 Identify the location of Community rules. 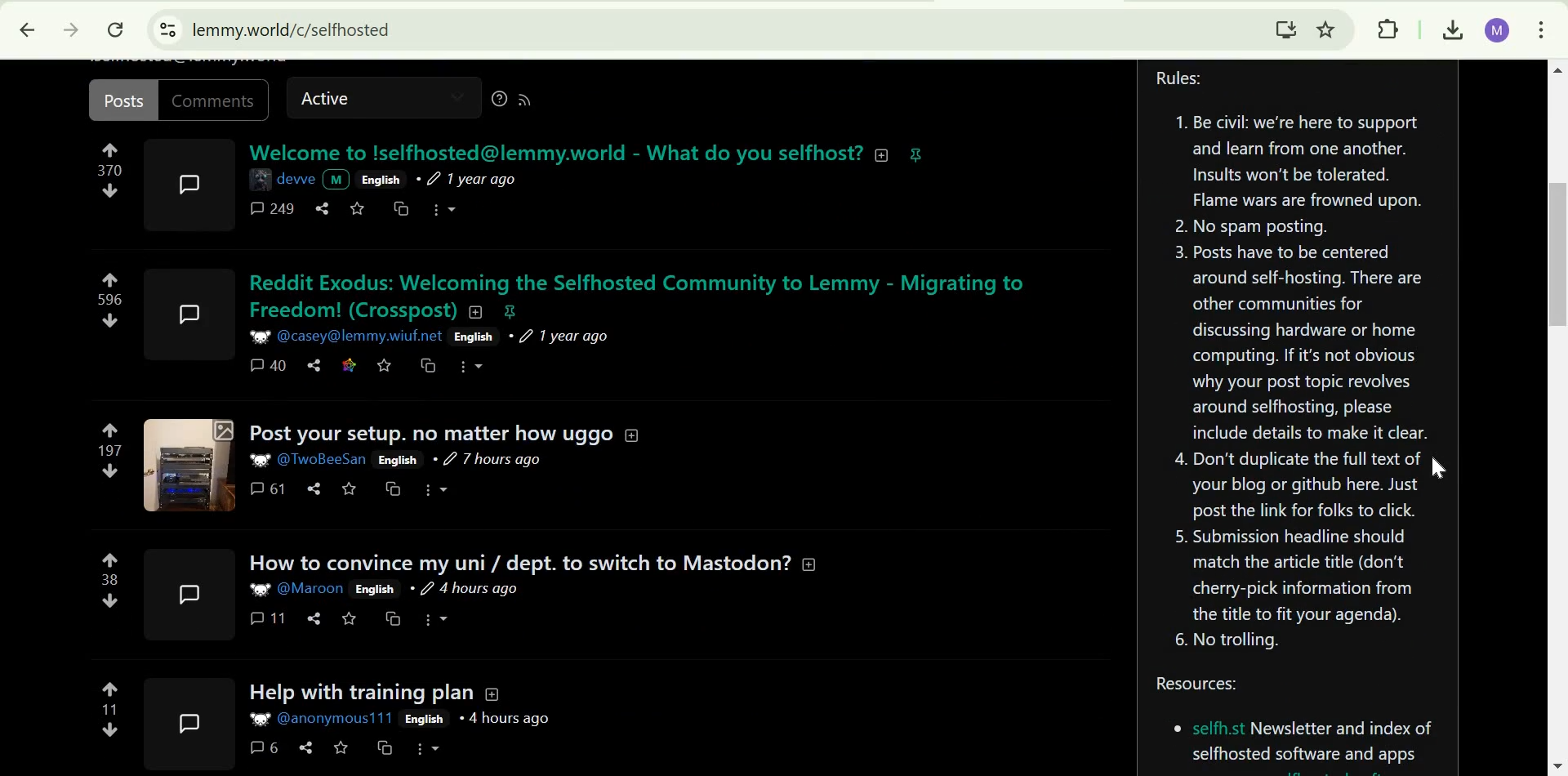
(1299, 365).